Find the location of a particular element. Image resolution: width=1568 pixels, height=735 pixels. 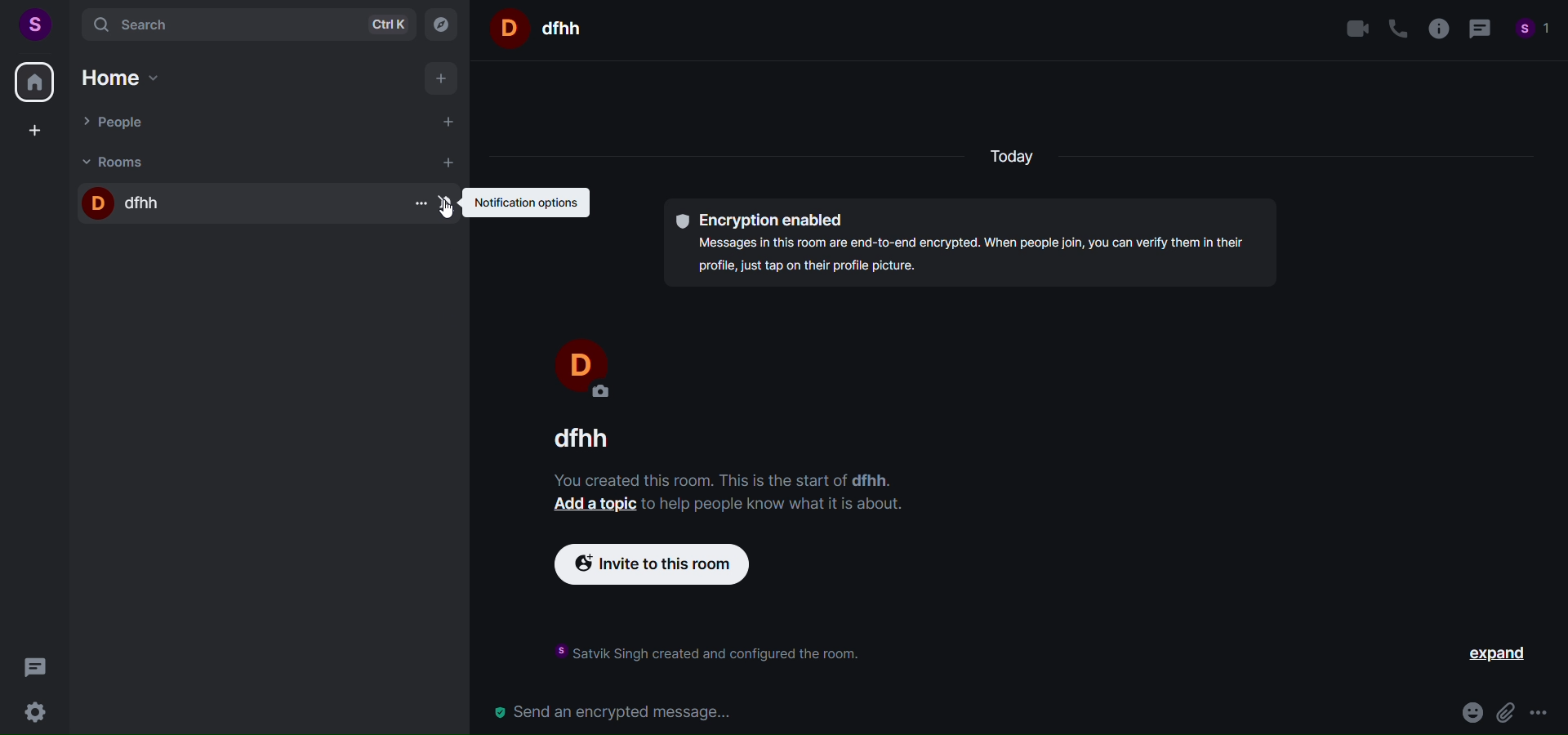

thread is located at coordinates (1481, 29).